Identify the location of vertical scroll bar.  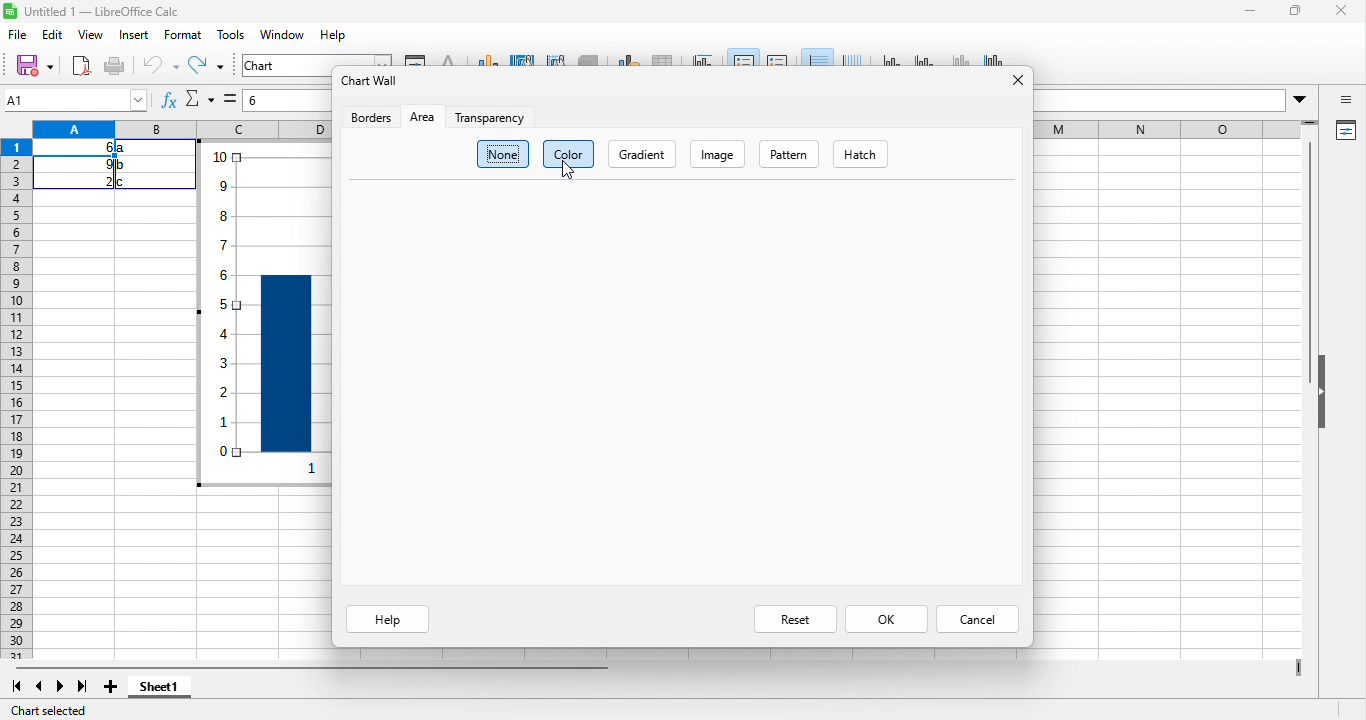
(1312, 267).